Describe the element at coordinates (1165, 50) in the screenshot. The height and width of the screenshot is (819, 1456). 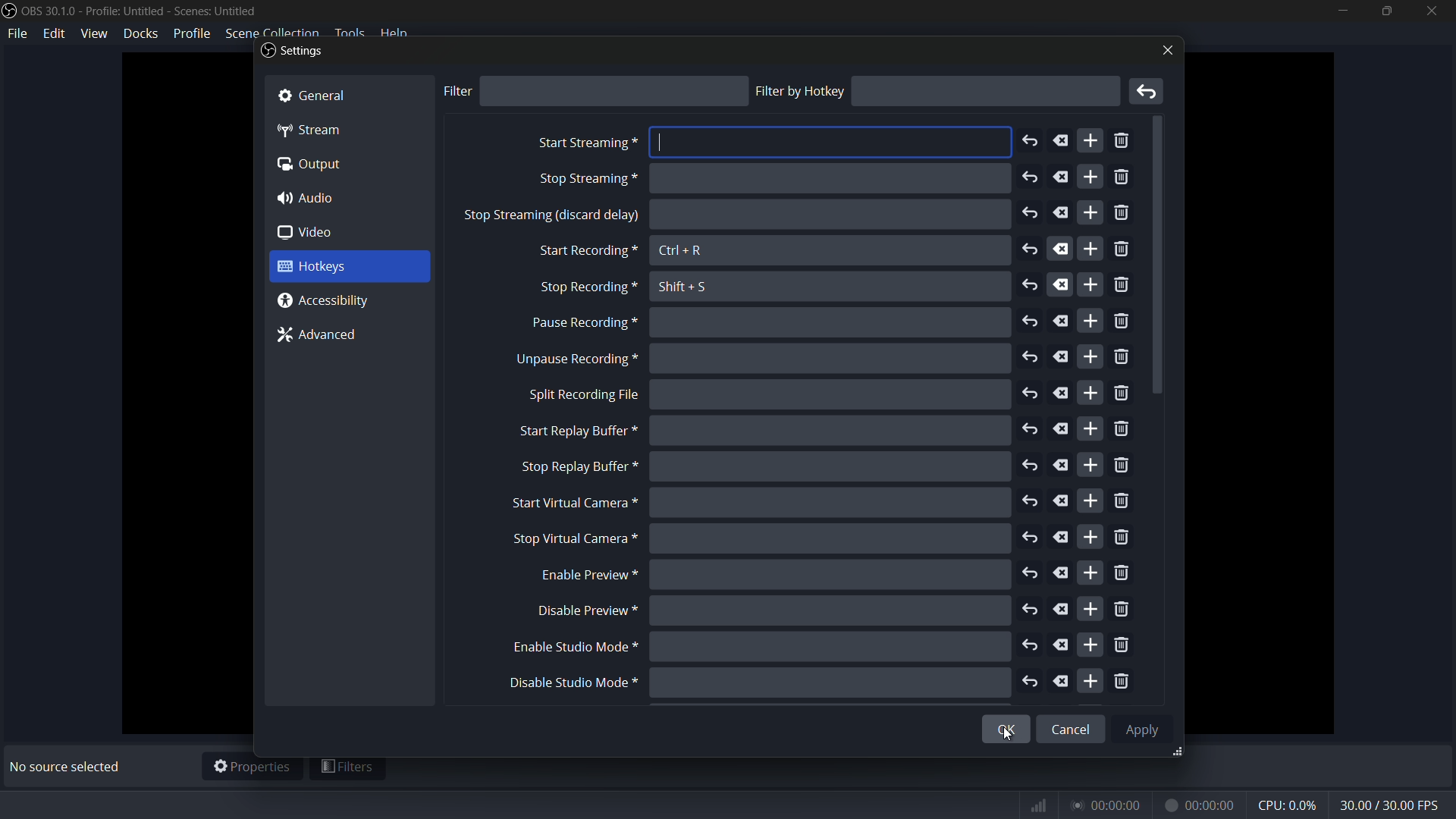
I see `close` at that location.